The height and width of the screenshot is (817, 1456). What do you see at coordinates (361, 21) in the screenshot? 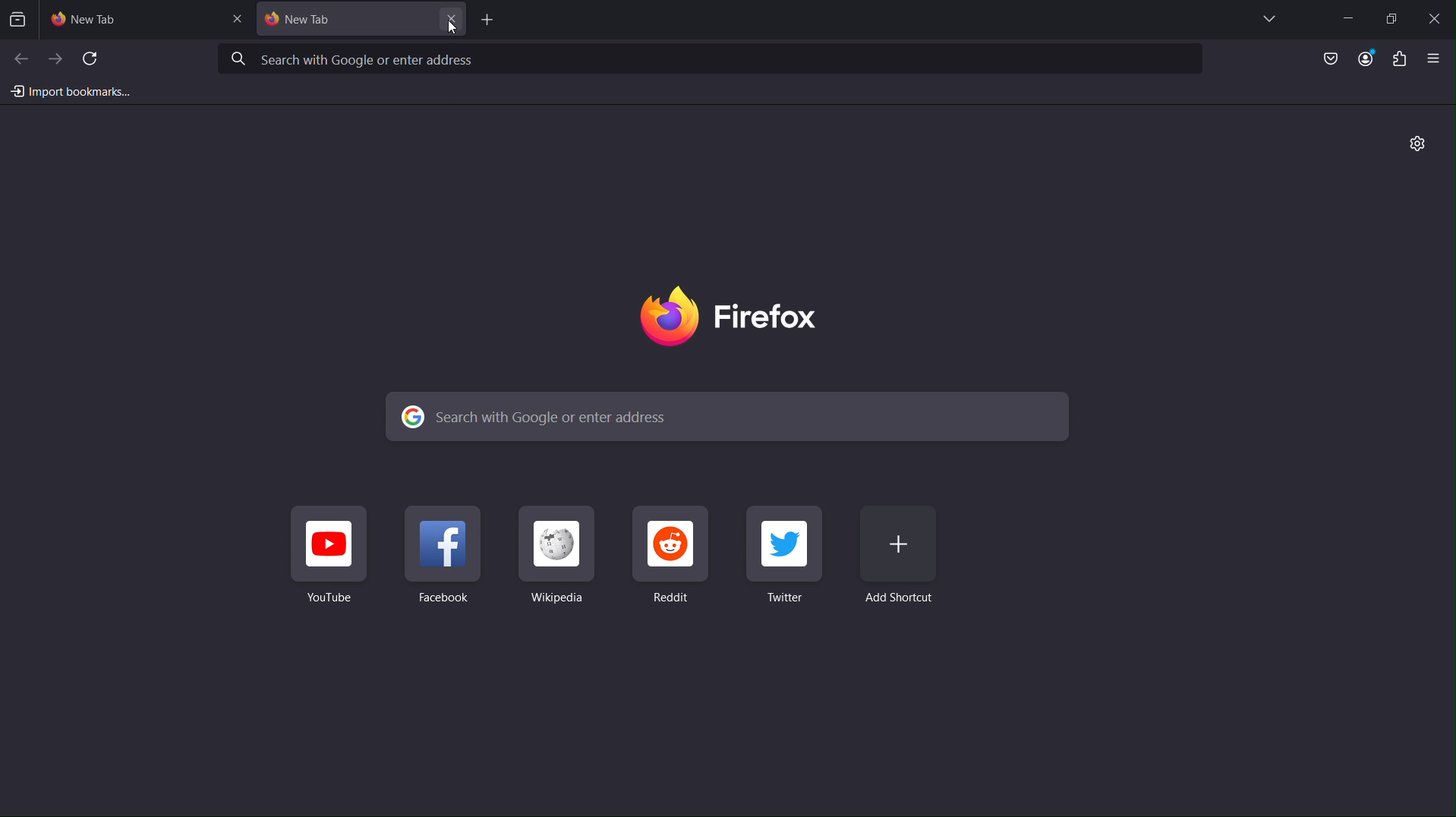
I see `Current Tab` at bounding box center [361, 21].